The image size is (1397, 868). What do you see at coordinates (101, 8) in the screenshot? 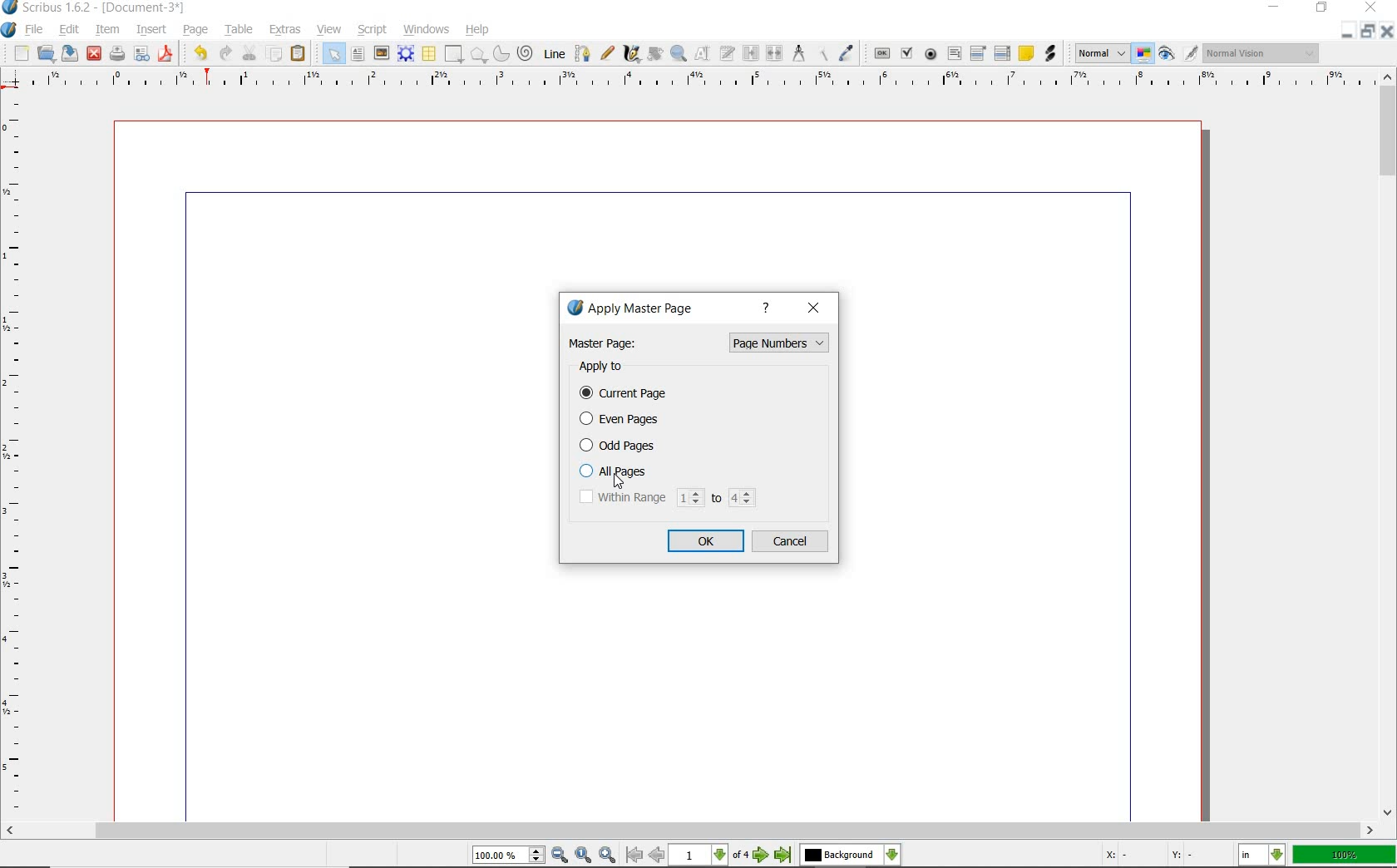
I see `Scribus 1.62 - [Document-3*]` at bounding box center [101, 8].